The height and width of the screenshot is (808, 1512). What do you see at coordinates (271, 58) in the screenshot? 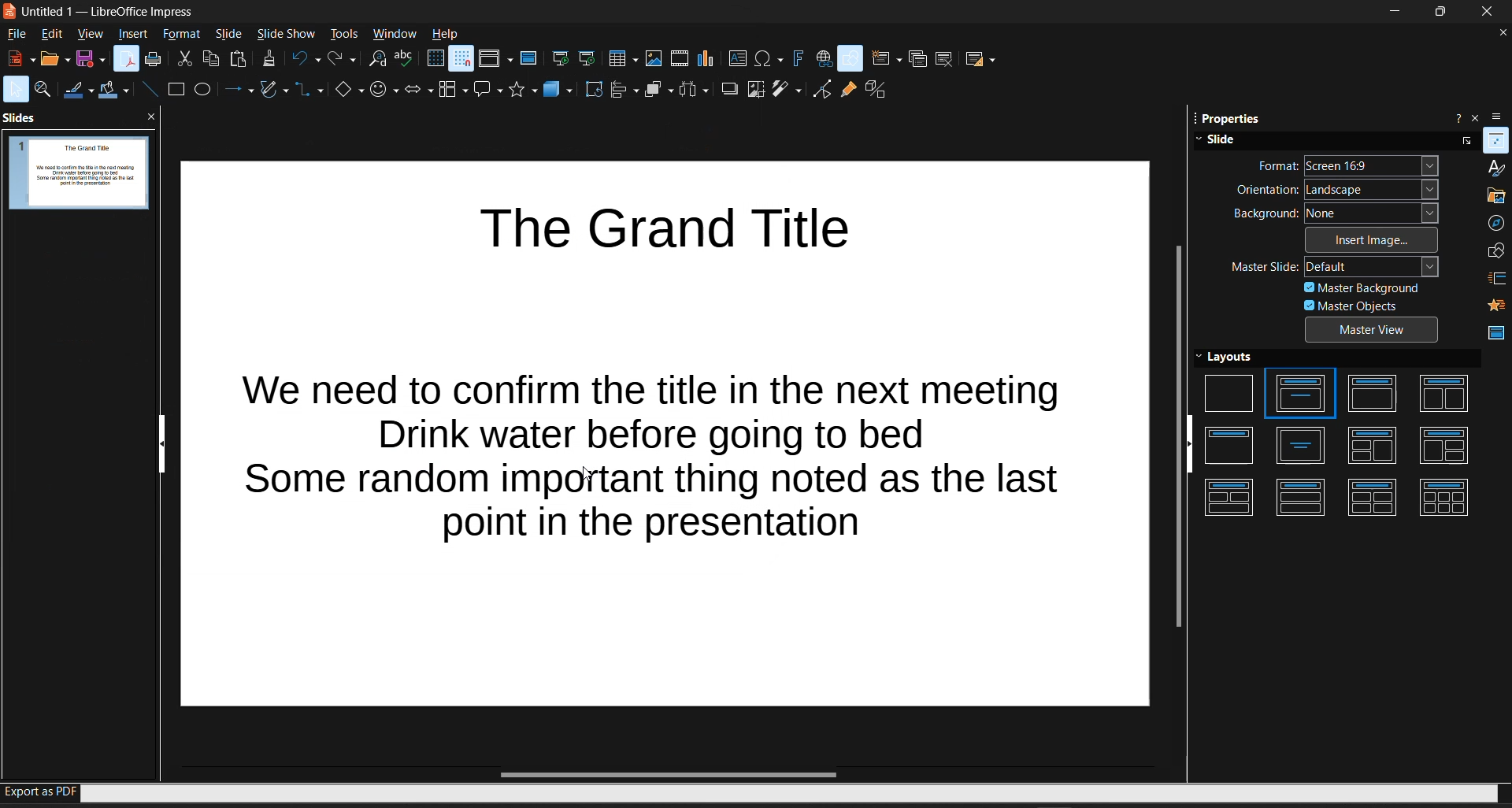
I see `clone formatting` at bounding box center [271, 58].